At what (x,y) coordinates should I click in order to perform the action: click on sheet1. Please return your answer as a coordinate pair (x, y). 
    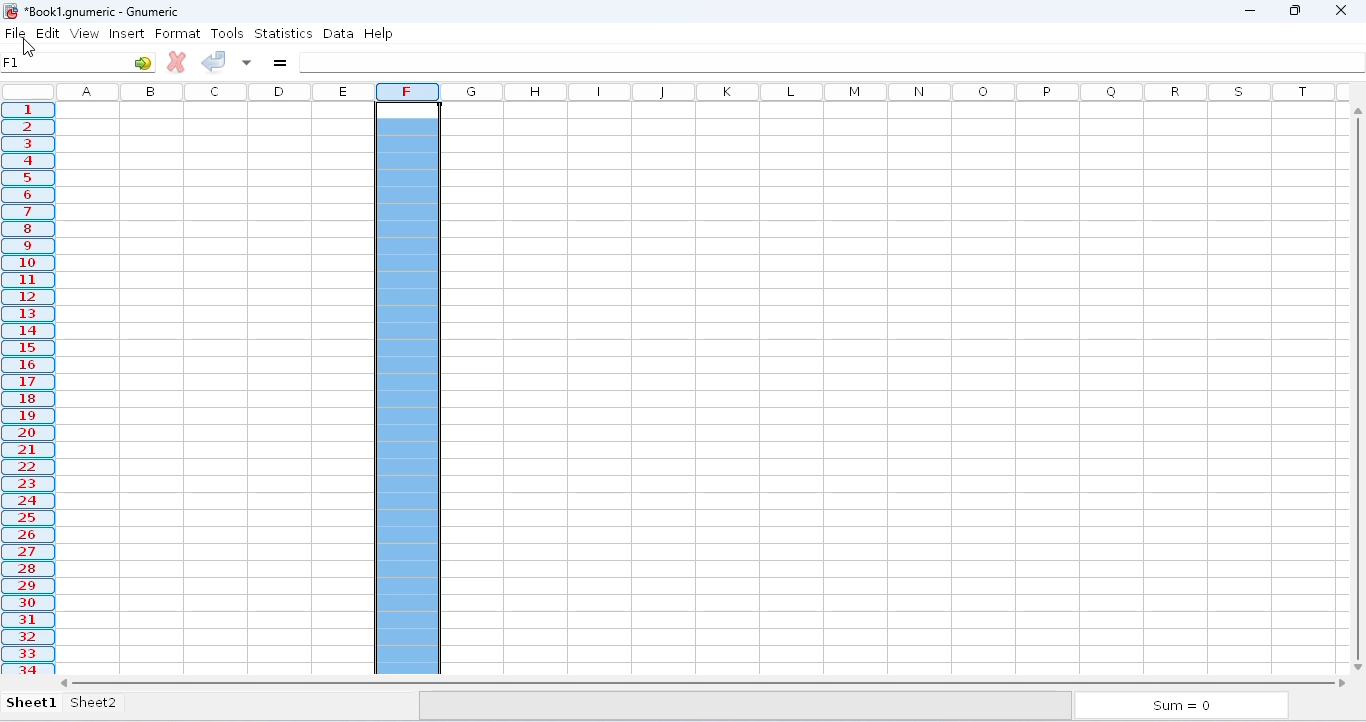
    Looking at the image, I should click on (32, 704).